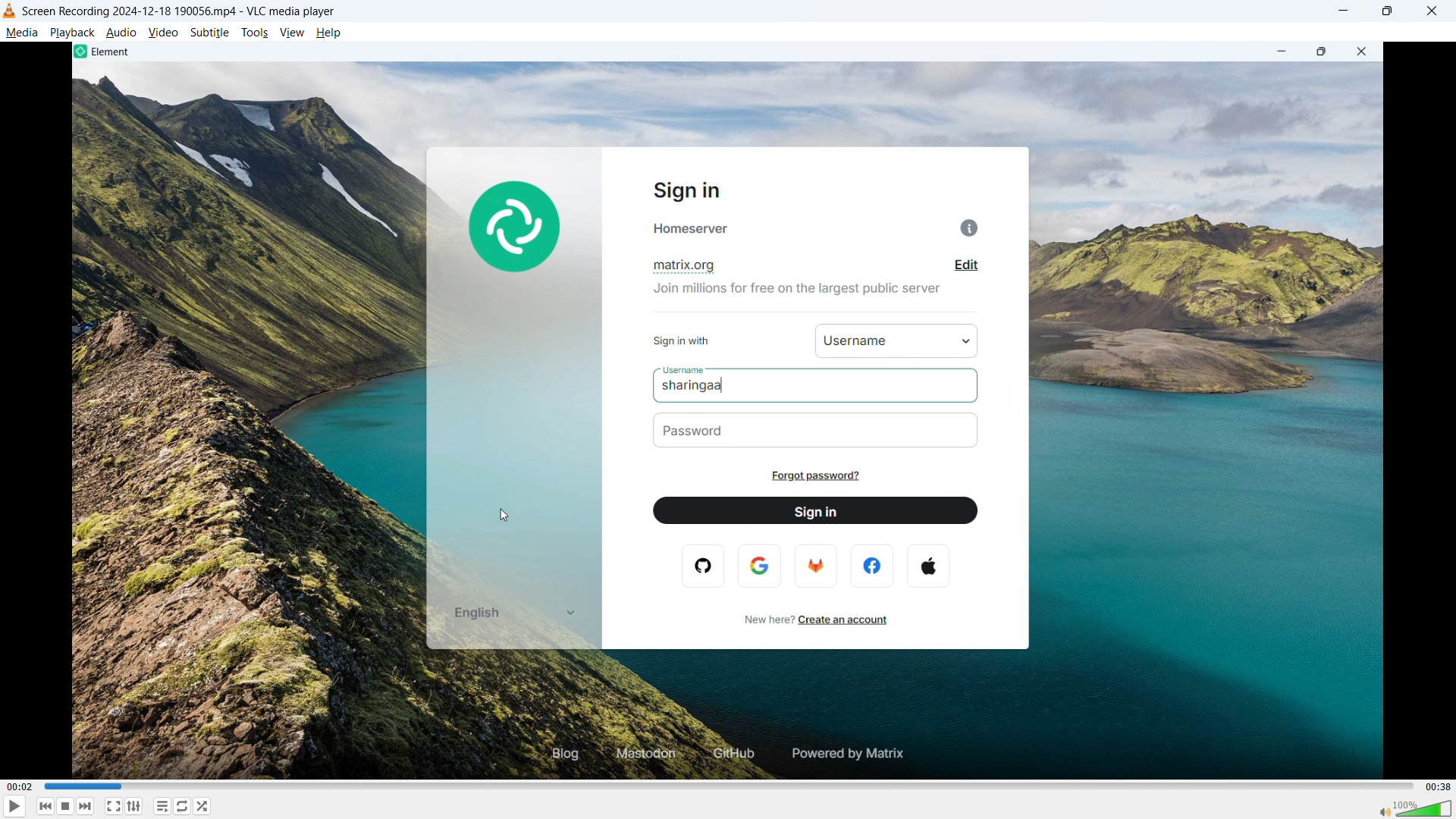 This screenshot has height=819, width=1456. What do you see at coordinates (1386, 11) in the screenshot?
I see `Maximise ` at bounding box center [1386, 11].